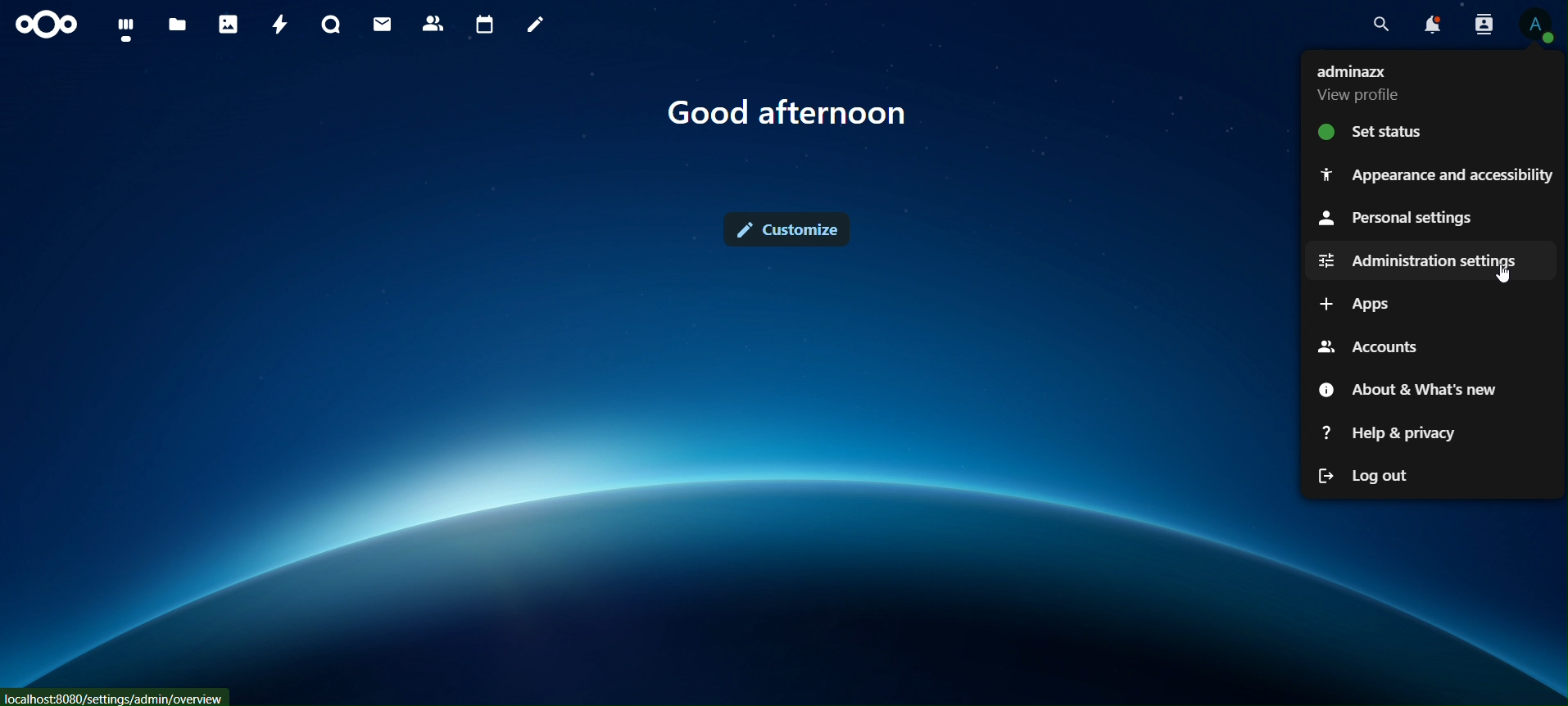  What do you see at coordinates (1405, 389) in the screenshot?
I see `about & what's new` at bounding box center [1405, 389].